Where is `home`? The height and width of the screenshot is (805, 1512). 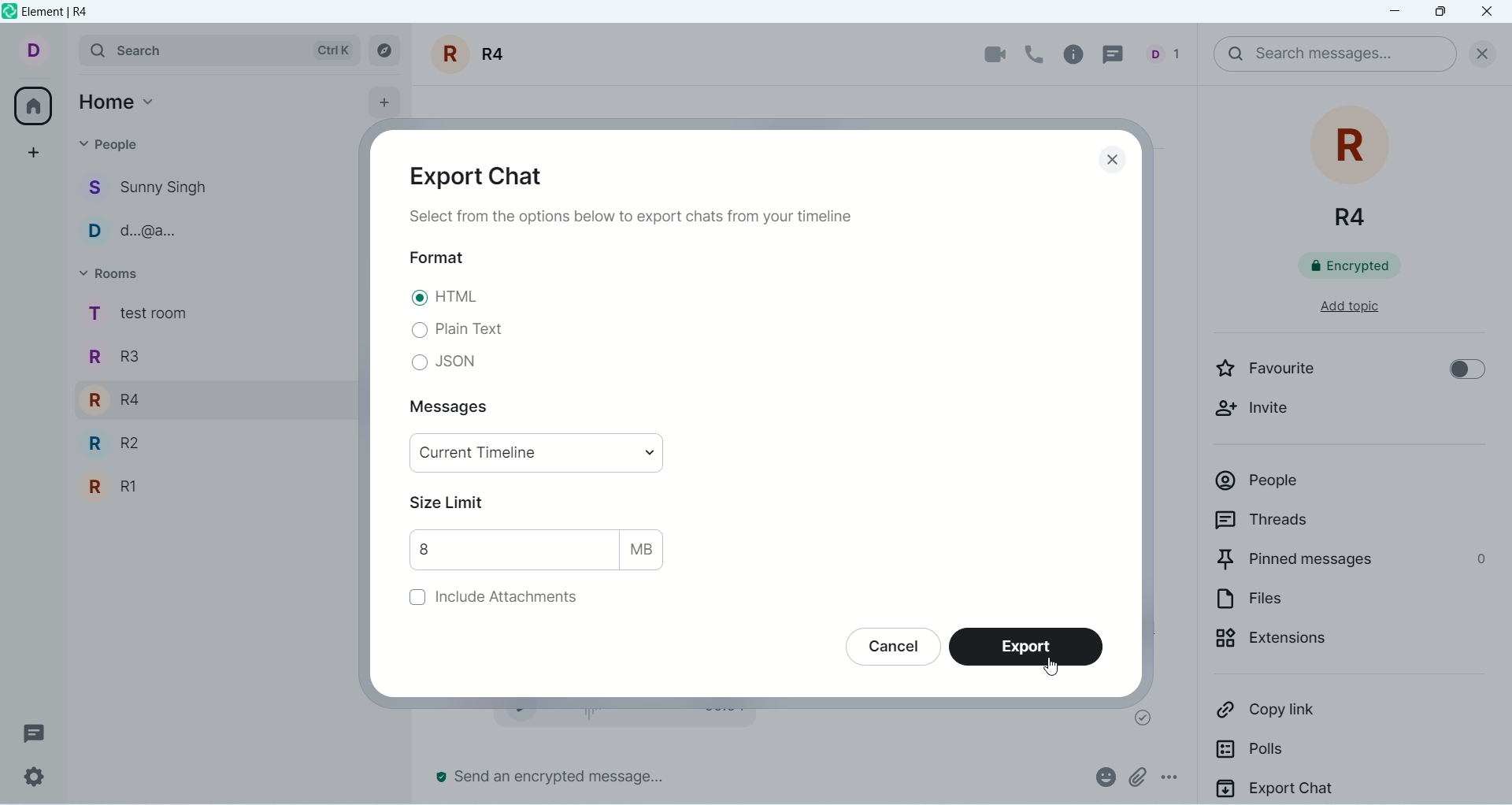 home is located at coordinates (119, 98).